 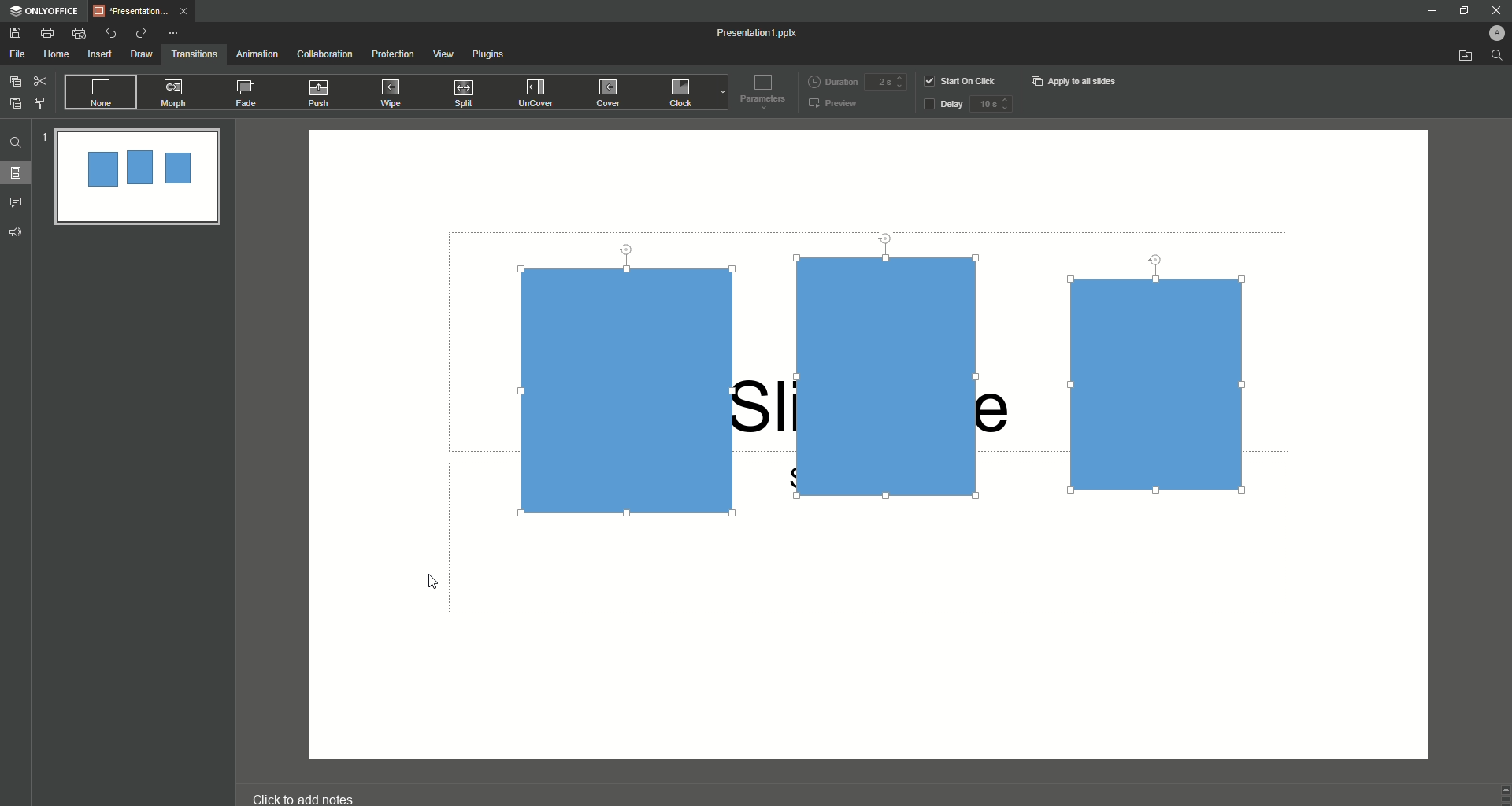 What do you see at coordinates (759, 91) in the screenshot?
I see `Parameters` at bounding box center [759, 91].